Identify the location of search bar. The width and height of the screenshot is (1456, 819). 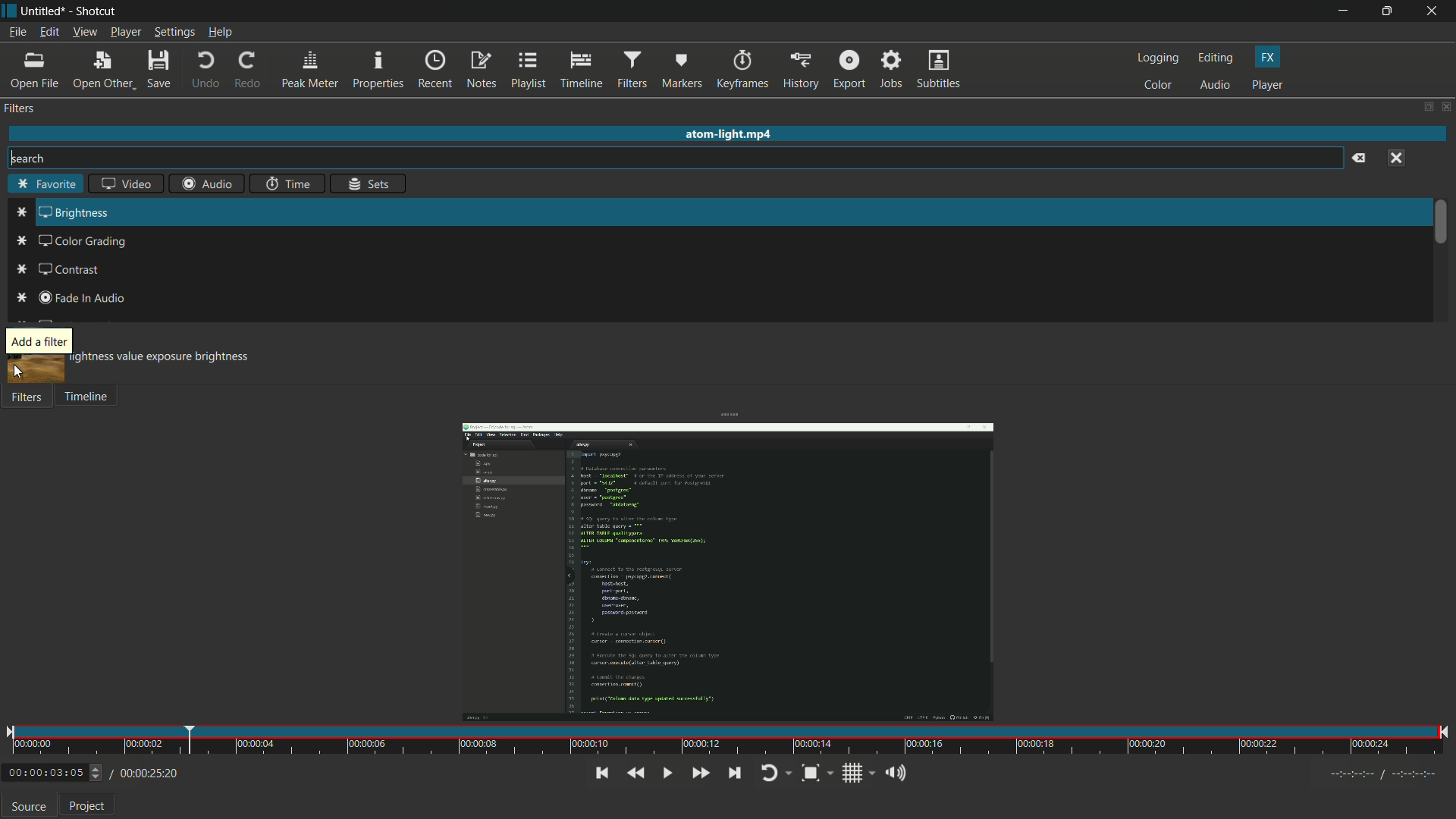
(676, 158).